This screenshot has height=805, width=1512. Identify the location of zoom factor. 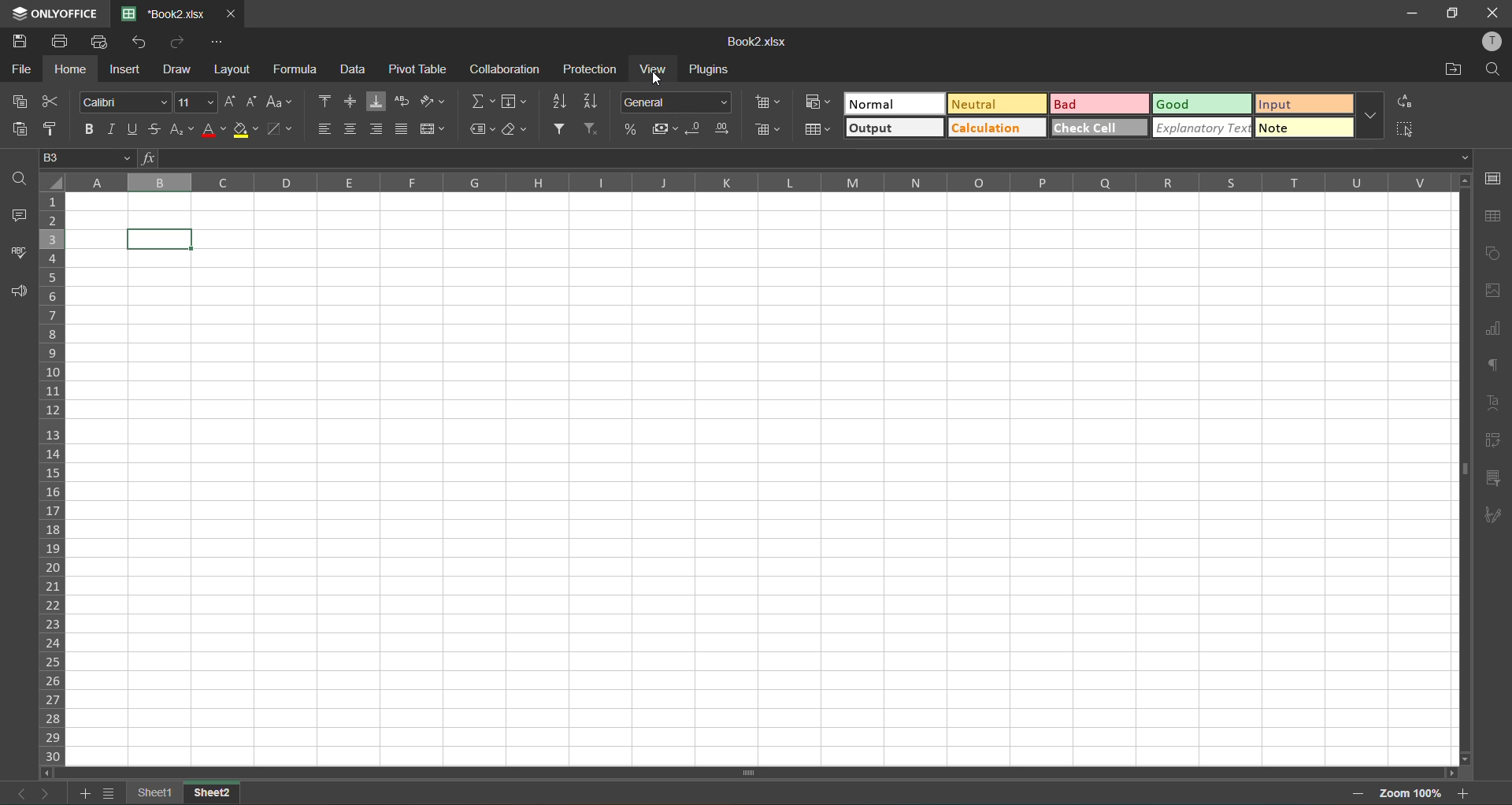
(1412, 793).